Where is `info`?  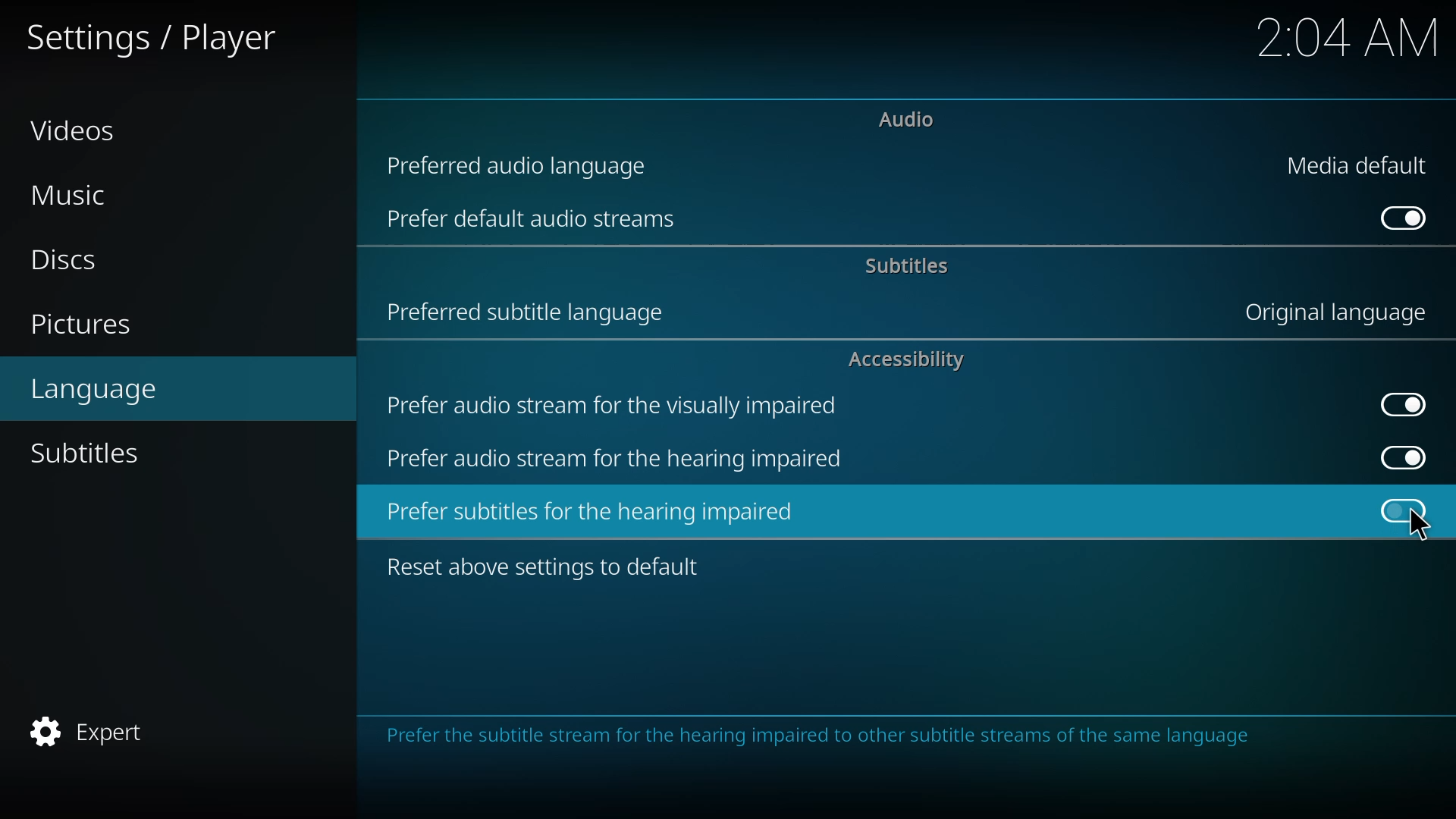 info is located at coordinates (825, 738).